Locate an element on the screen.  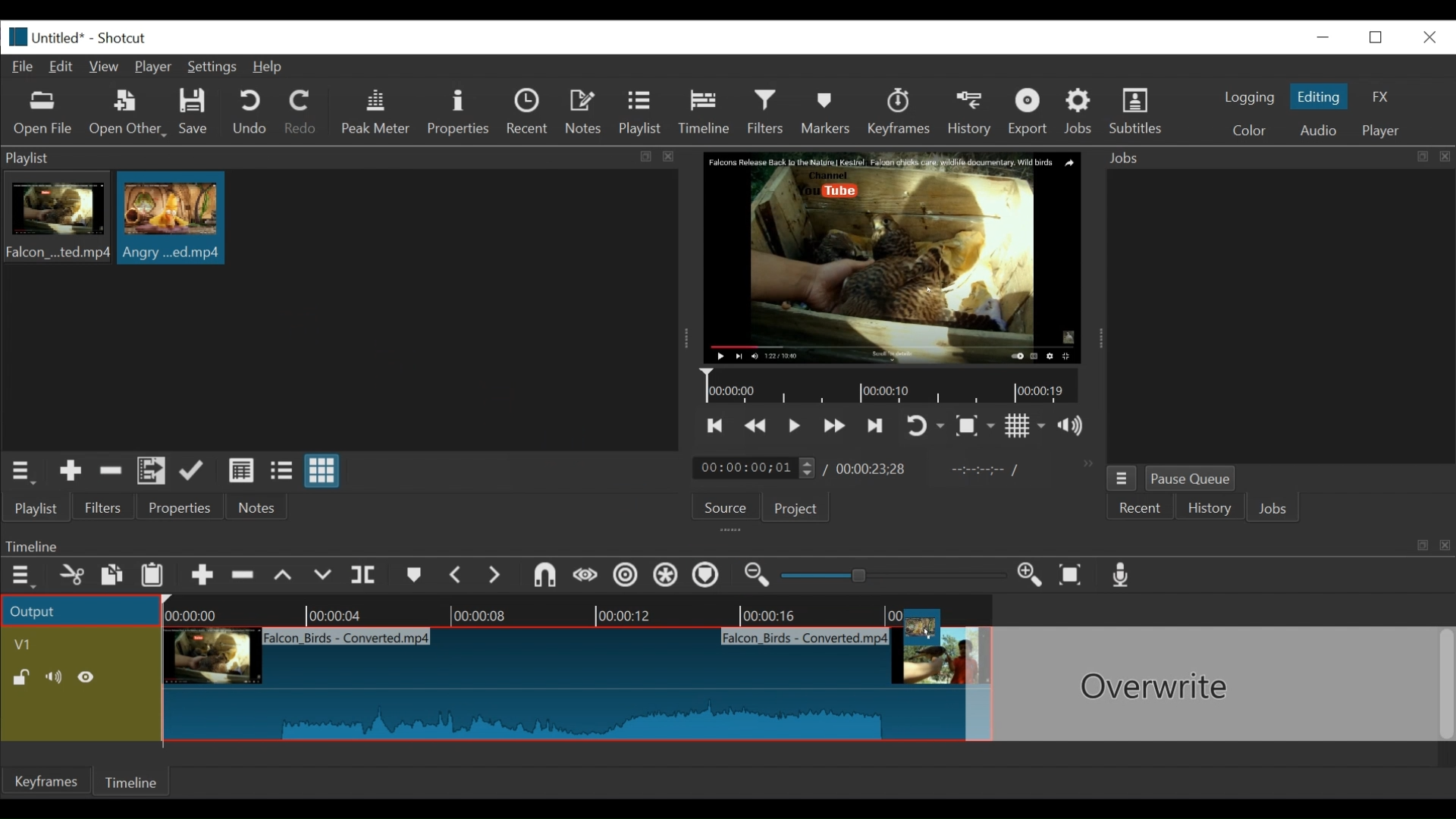
Hide is located at coordinates (90, 677).